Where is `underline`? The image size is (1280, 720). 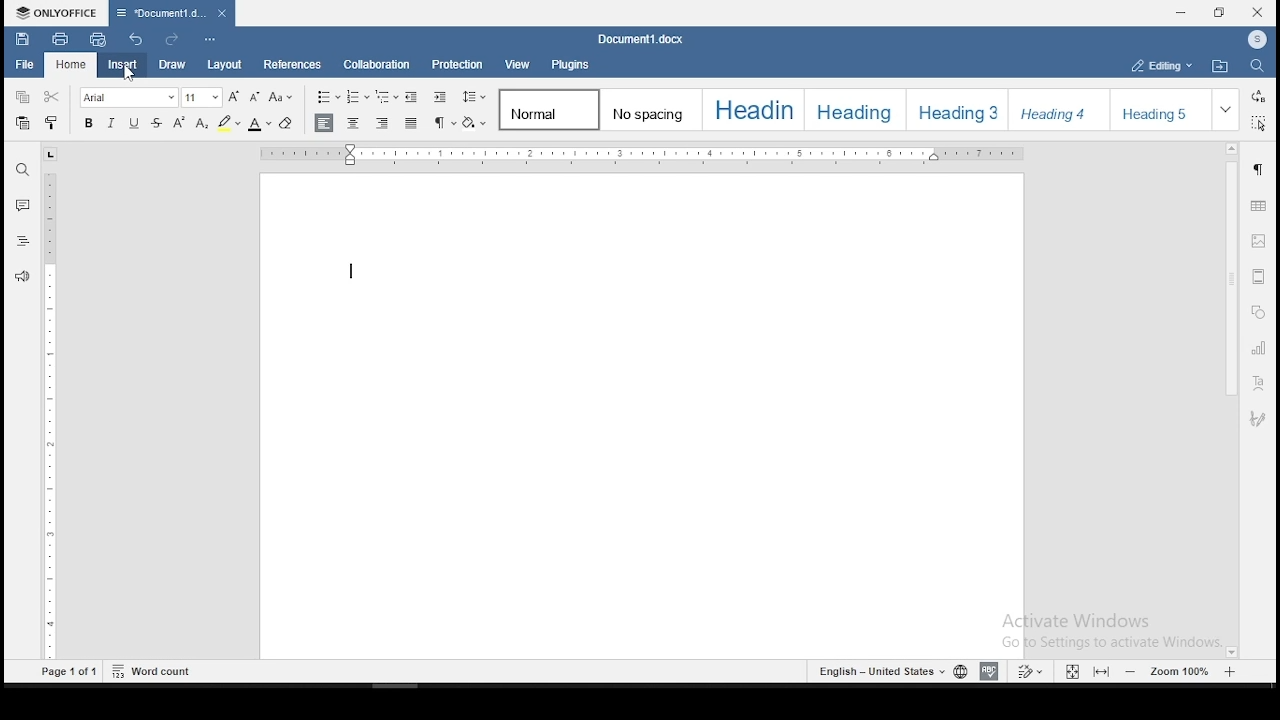 underline is located at coordinates (135, 122).